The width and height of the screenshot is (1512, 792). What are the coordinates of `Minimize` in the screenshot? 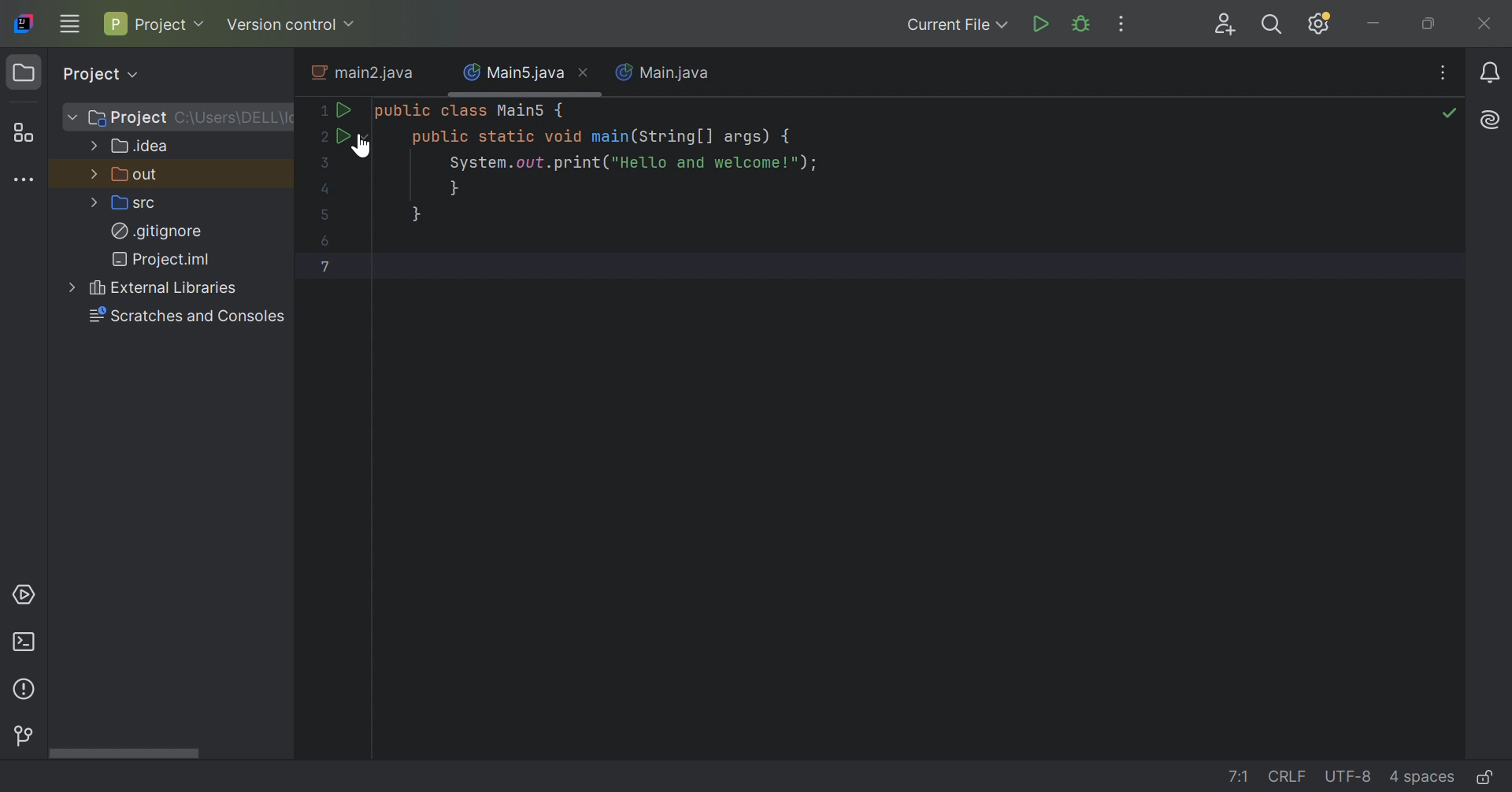 It's located at (1377, 23).